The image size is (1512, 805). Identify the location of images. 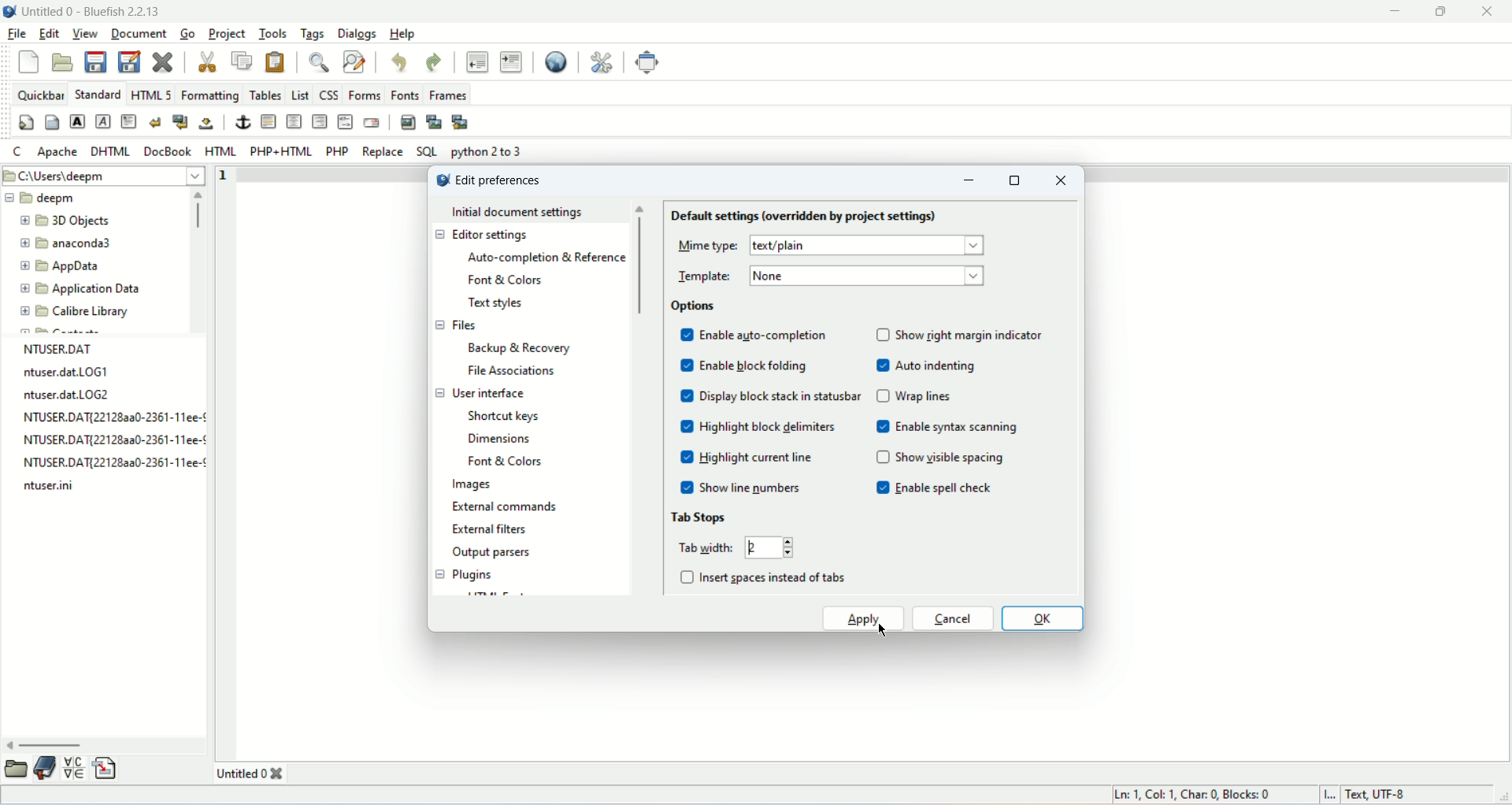
(471, 487).